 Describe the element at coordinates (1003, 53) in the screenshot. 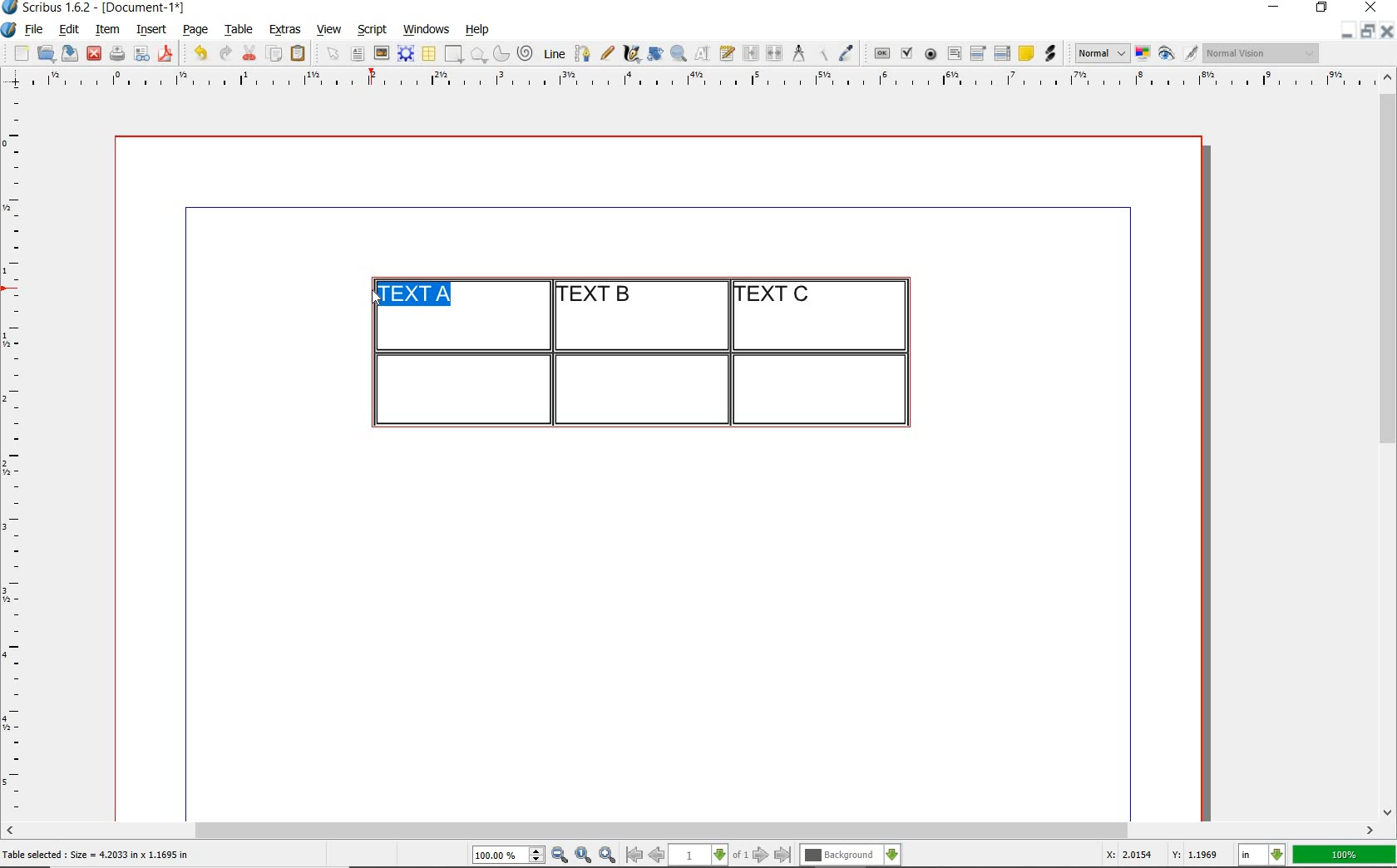

I see `pdf list box` at that location.